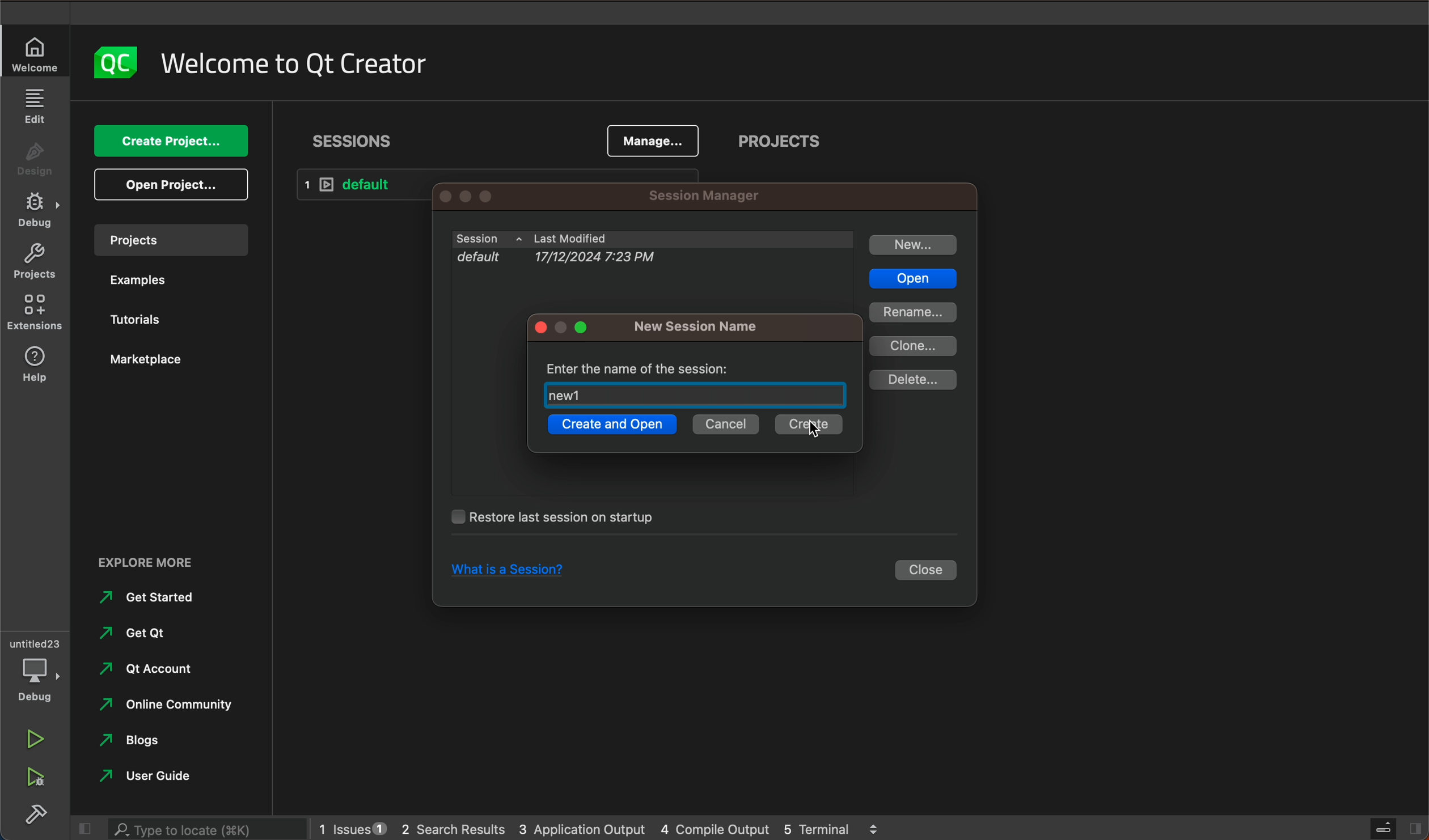  What do you see at coordinates (916, 346) in the screenshot?
I see `clone` at bounding box center [916, 346].